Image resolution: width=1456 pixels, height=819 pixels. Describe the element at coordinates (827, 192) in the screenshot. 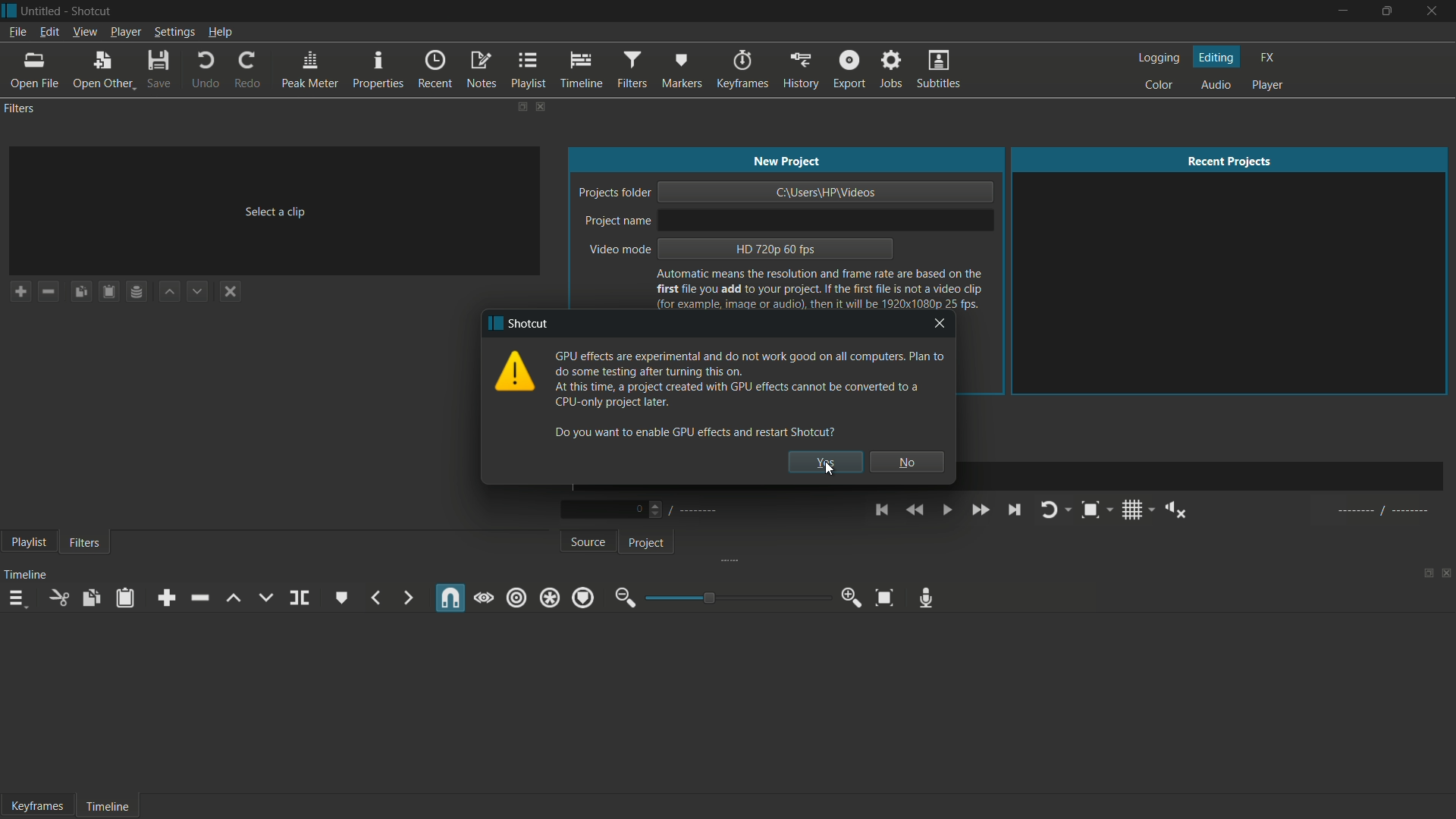

I see `project location` at that location.